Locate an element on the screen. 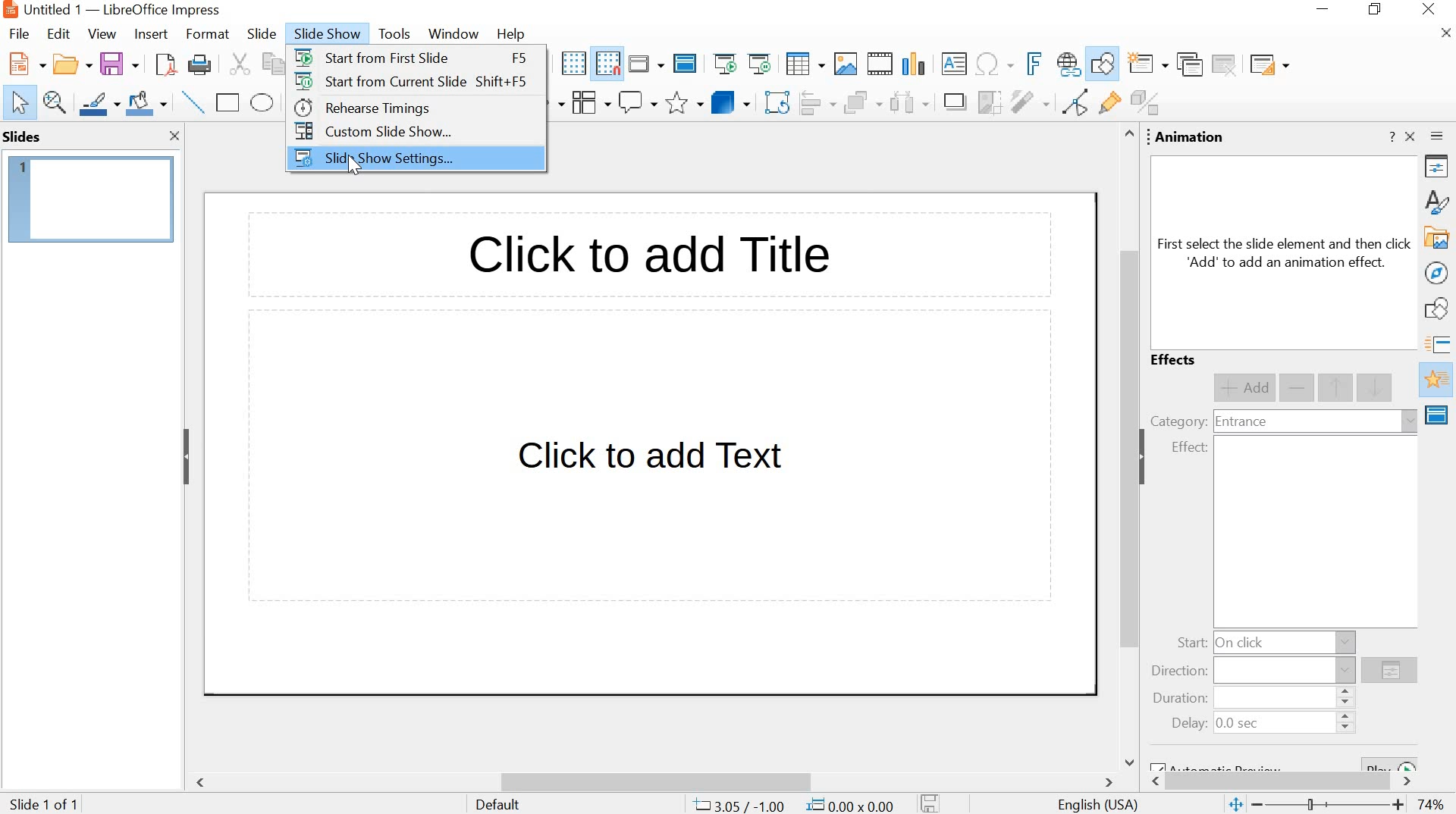 This screenshot has height=814, width=1456. close is located at coordinates (175, 137).